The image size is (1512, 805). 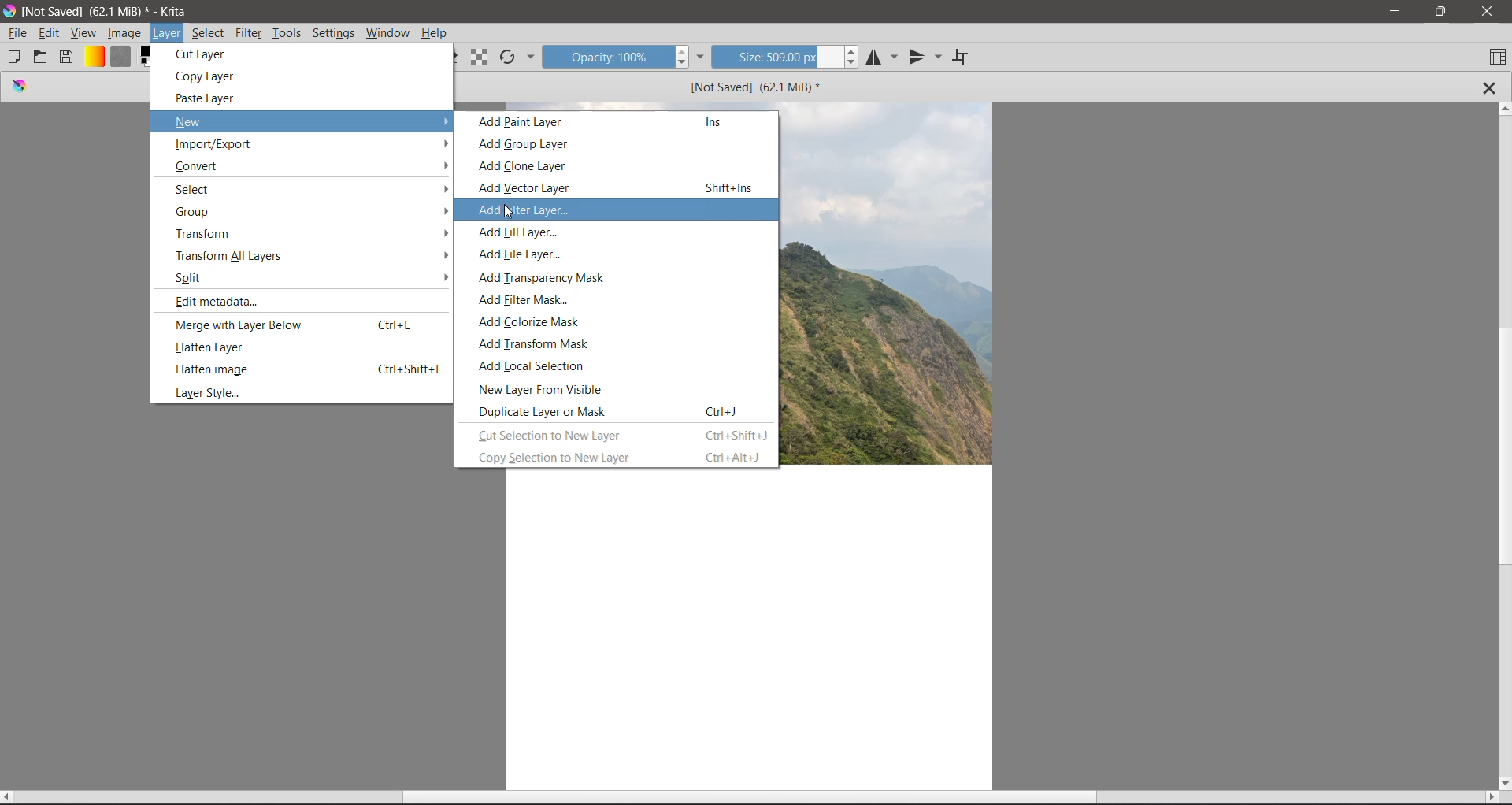 What do you see at coordinates (550, 389) in the screenshot?
I see `New Layer From Visible` at bounding box center [550, 389].